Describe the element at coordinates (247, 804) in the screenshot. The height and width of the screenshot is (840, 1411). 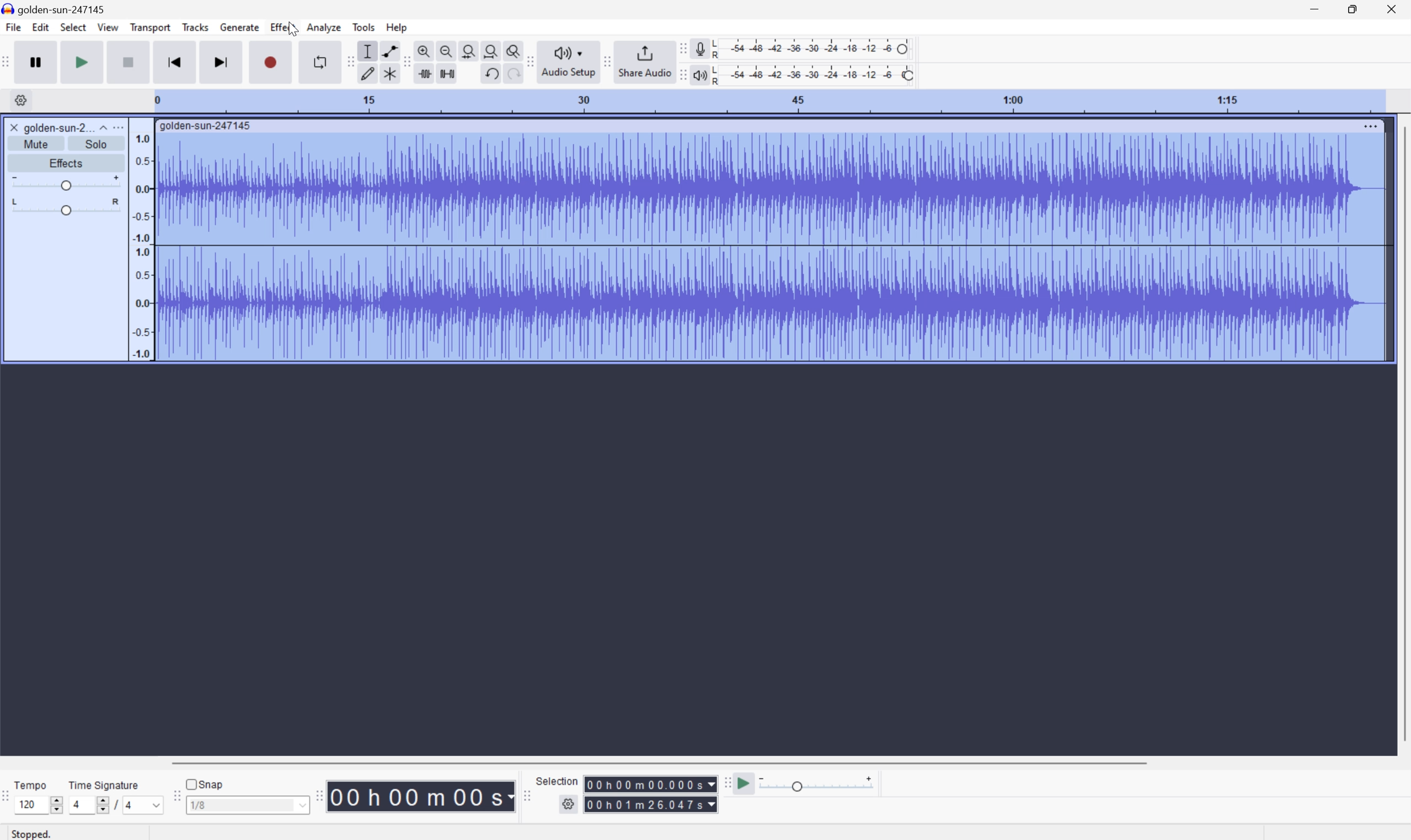
I see `1/8` at that location.